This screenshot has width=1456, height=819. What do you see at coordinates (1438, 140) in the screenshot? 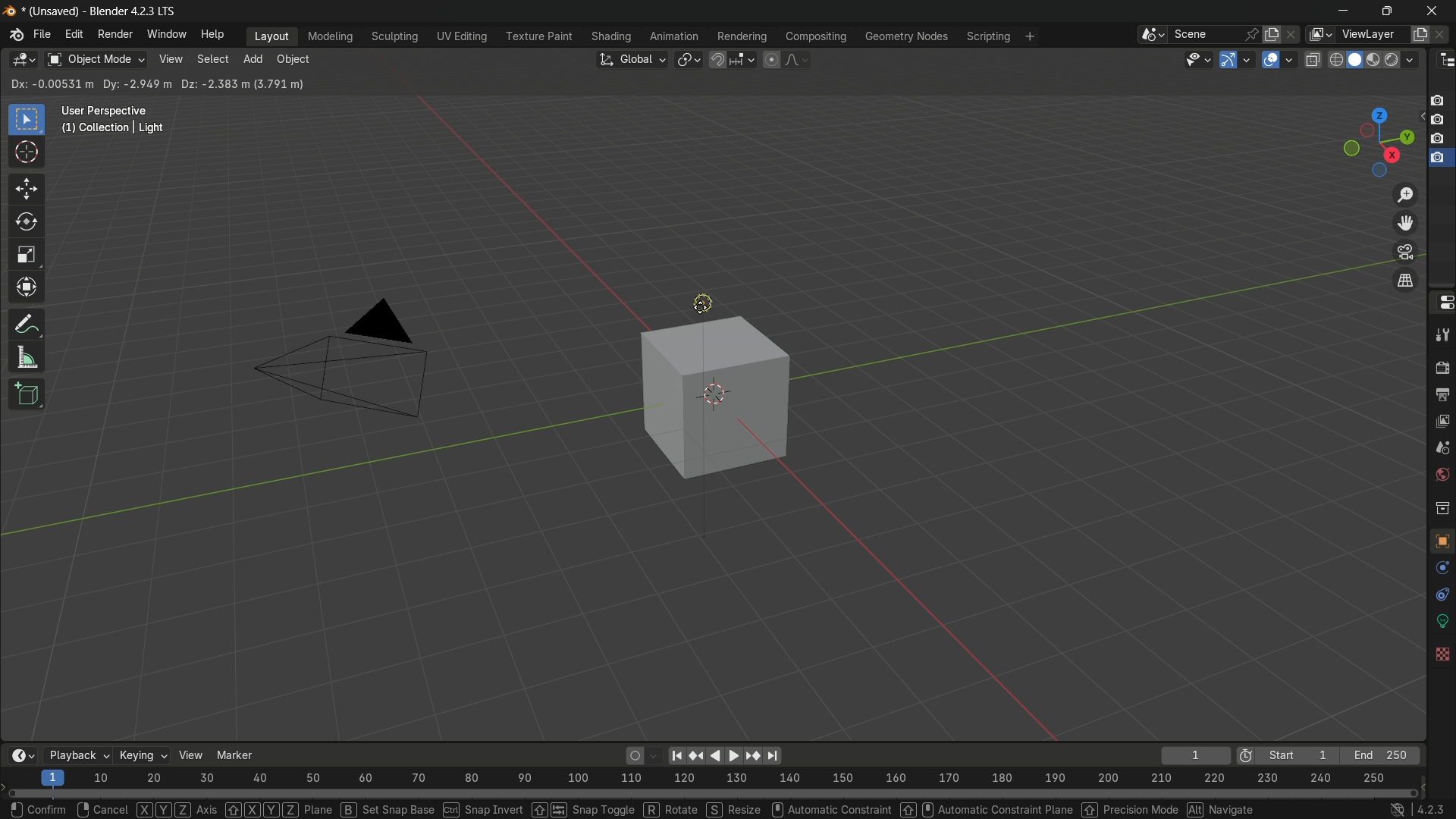
I see `capture` at bounding box center [1438, 140].